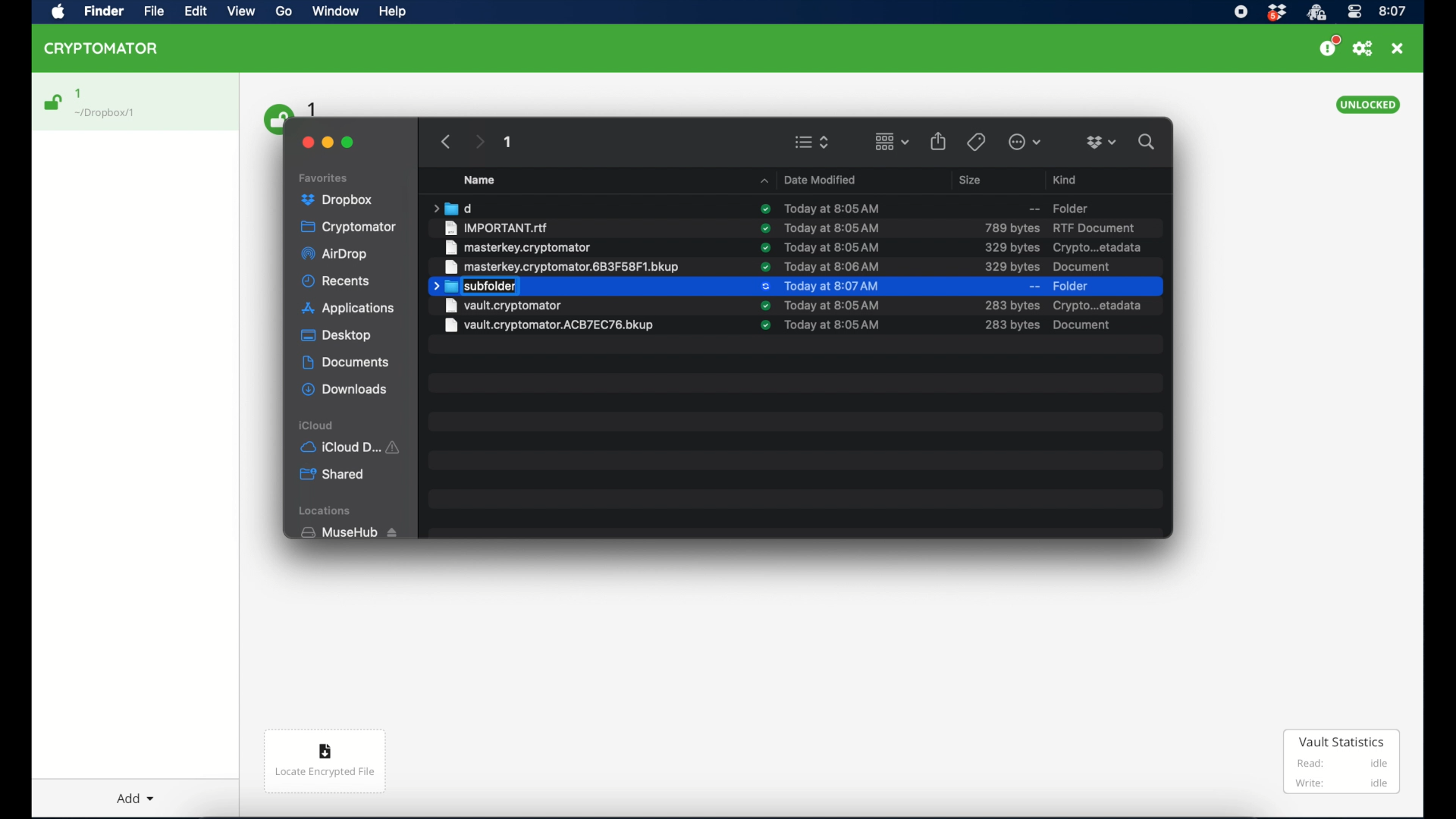 Image resolution: width=1456 pixels, height=819 pixels. I want to click on Add dropdown, so click(139, 792).